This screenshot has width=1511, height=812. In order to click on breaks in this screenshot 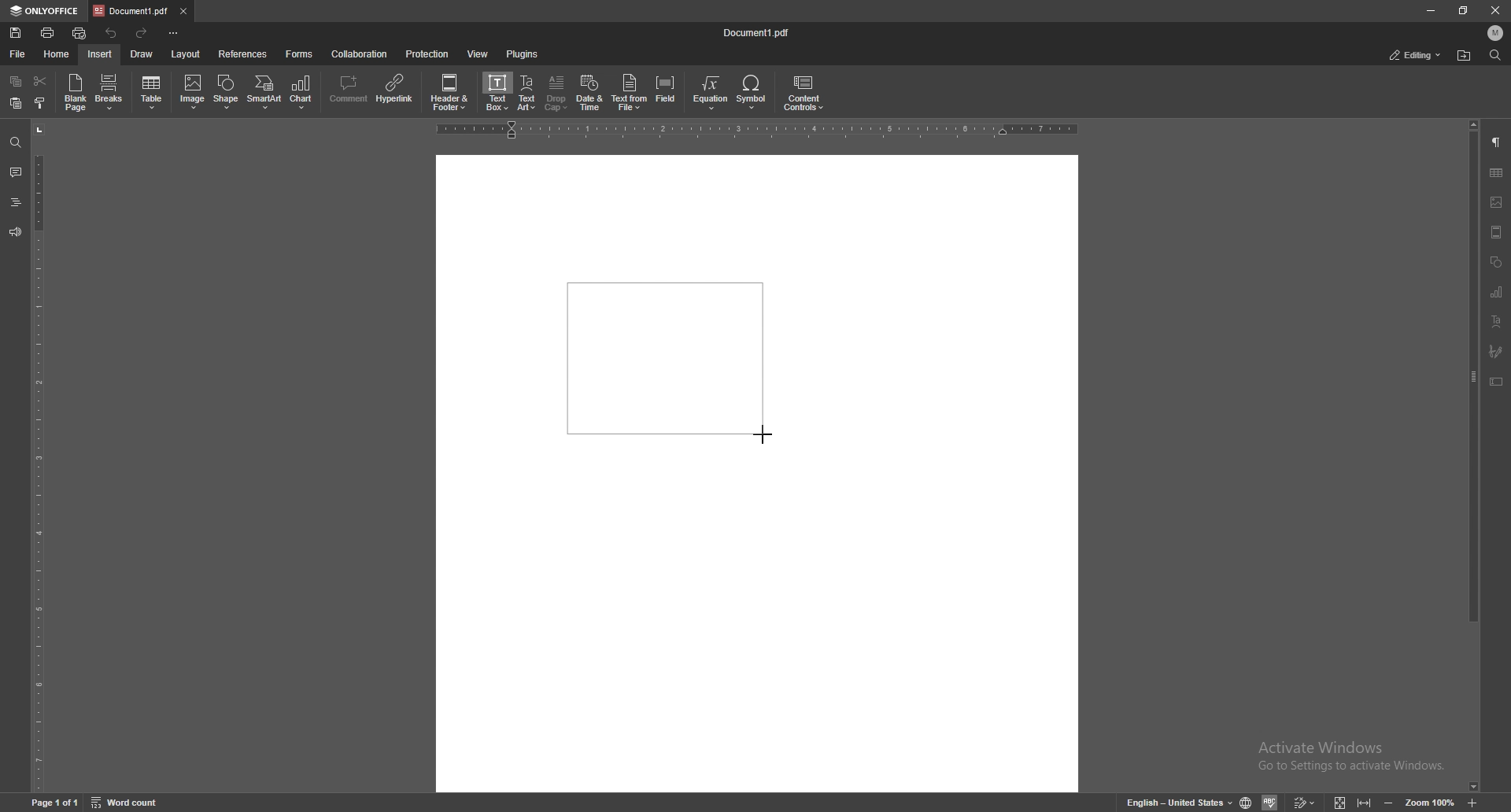, I will do `click(109, 92)`.